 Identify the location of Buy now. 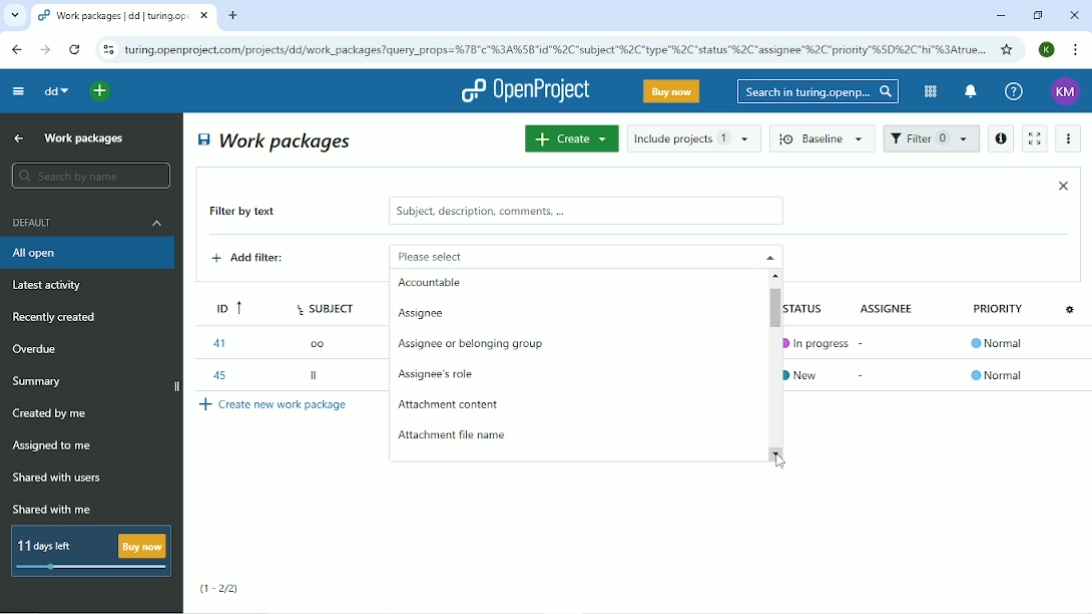
(672, 91).